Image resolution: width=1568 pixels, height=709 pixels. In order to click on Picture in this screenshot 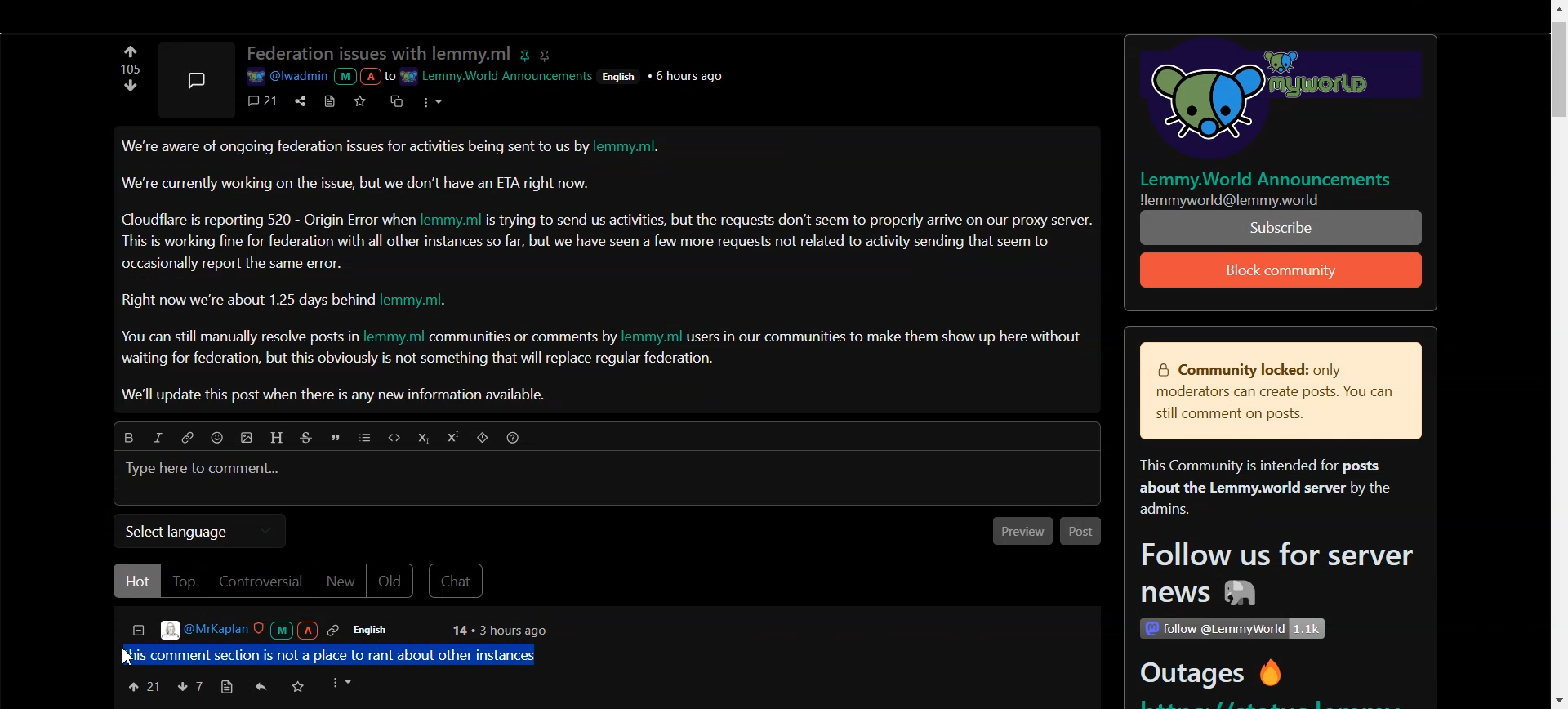, I will do `click(195, 77)`.